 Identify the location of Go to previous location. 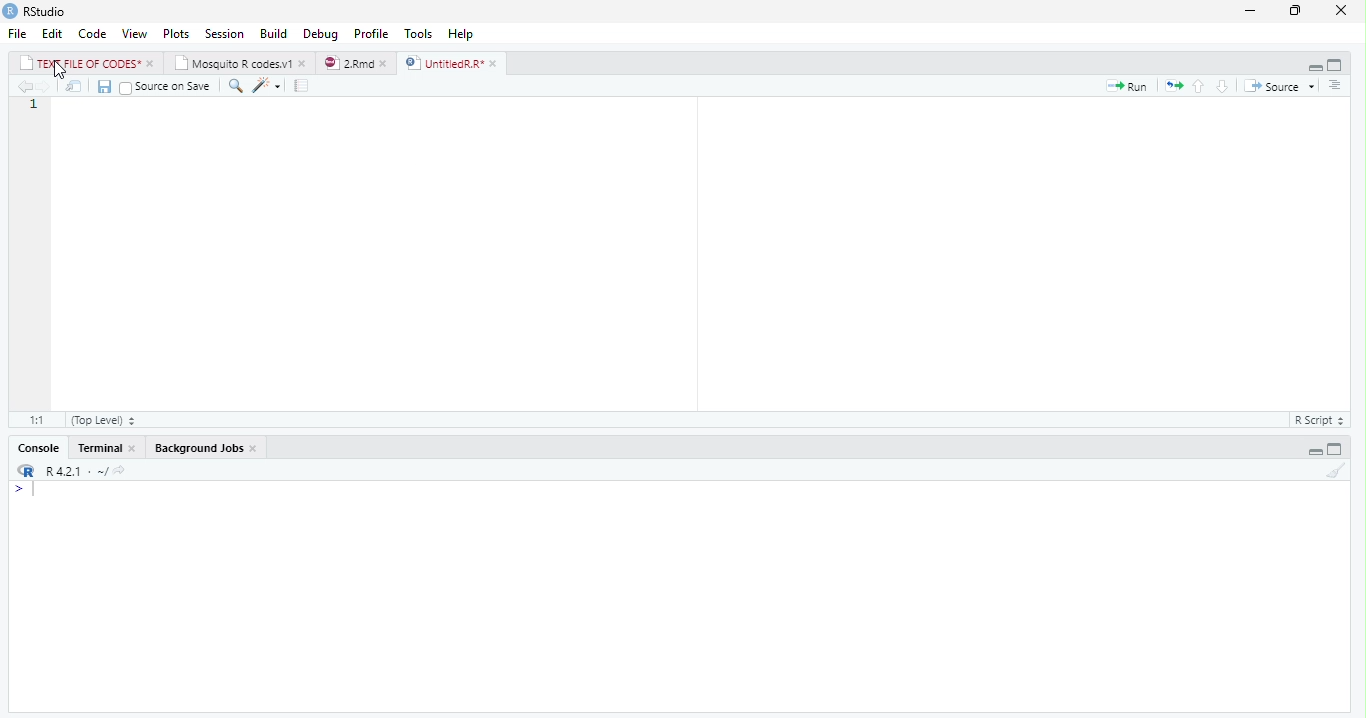
(24, 87).